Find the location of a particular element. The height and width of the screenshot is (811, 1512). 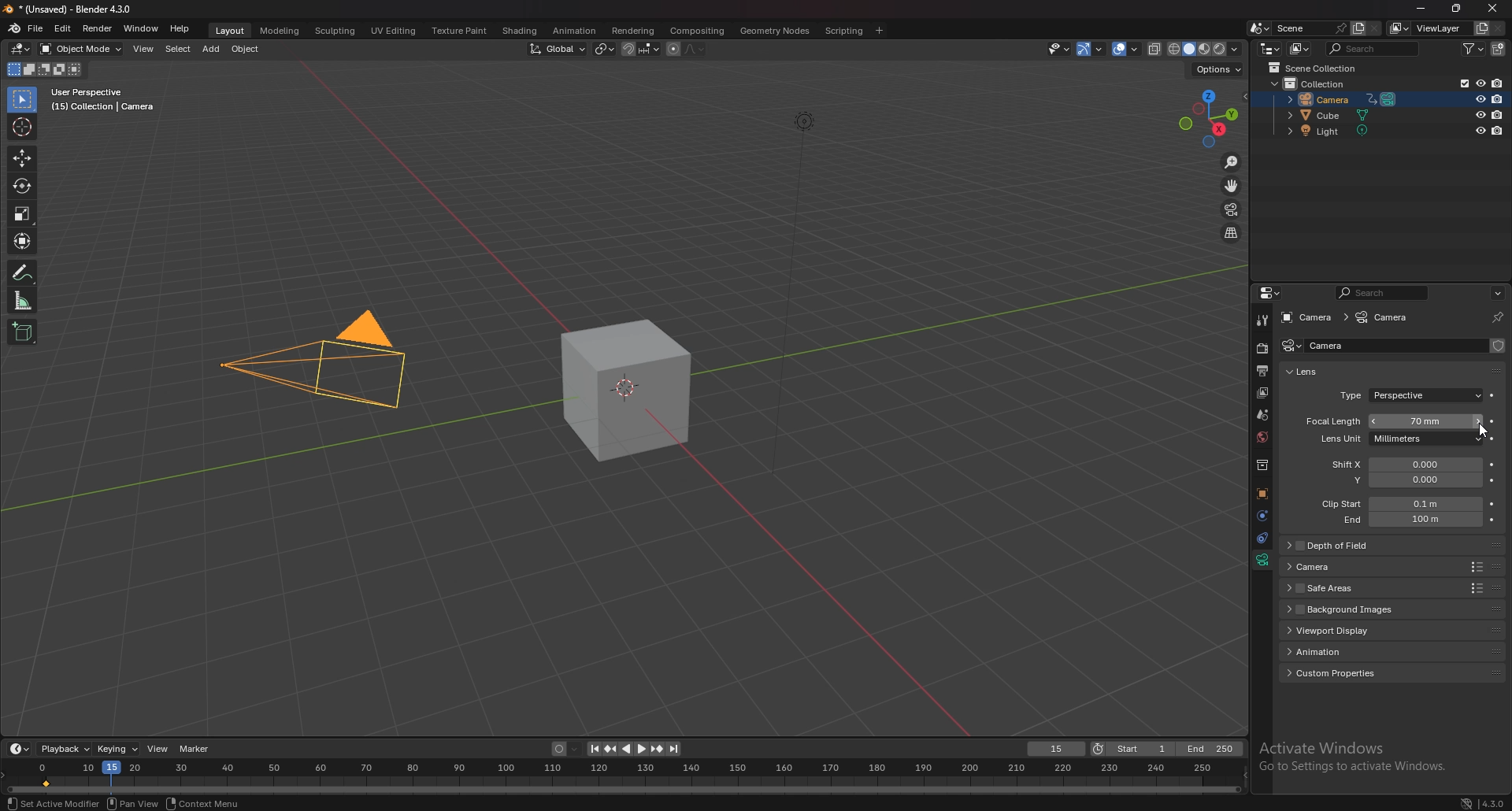

help is located at coordinates (180, 29).